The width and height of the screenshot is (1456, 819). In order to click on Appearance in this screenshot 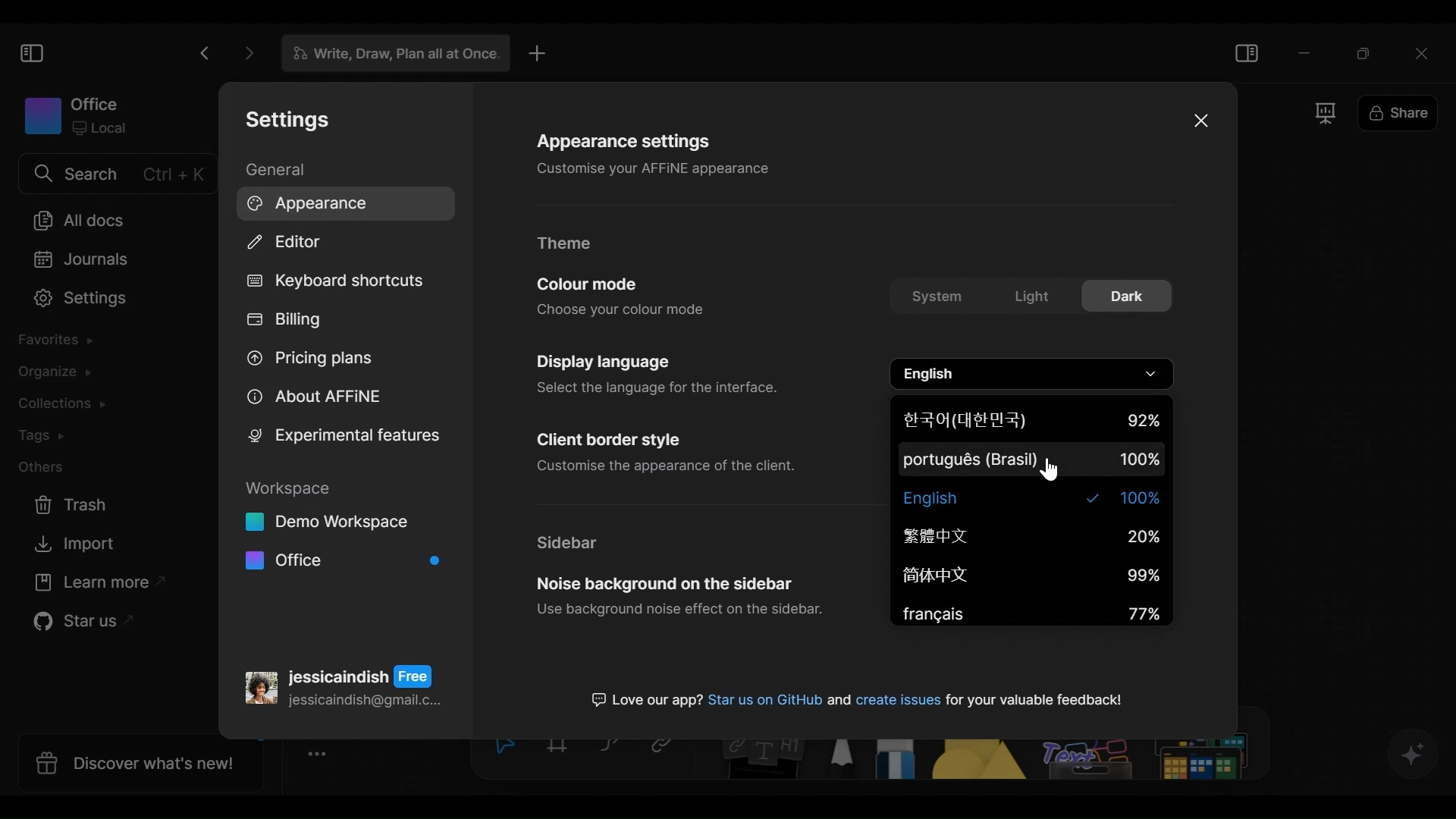, I will do `click(340, 202)`.